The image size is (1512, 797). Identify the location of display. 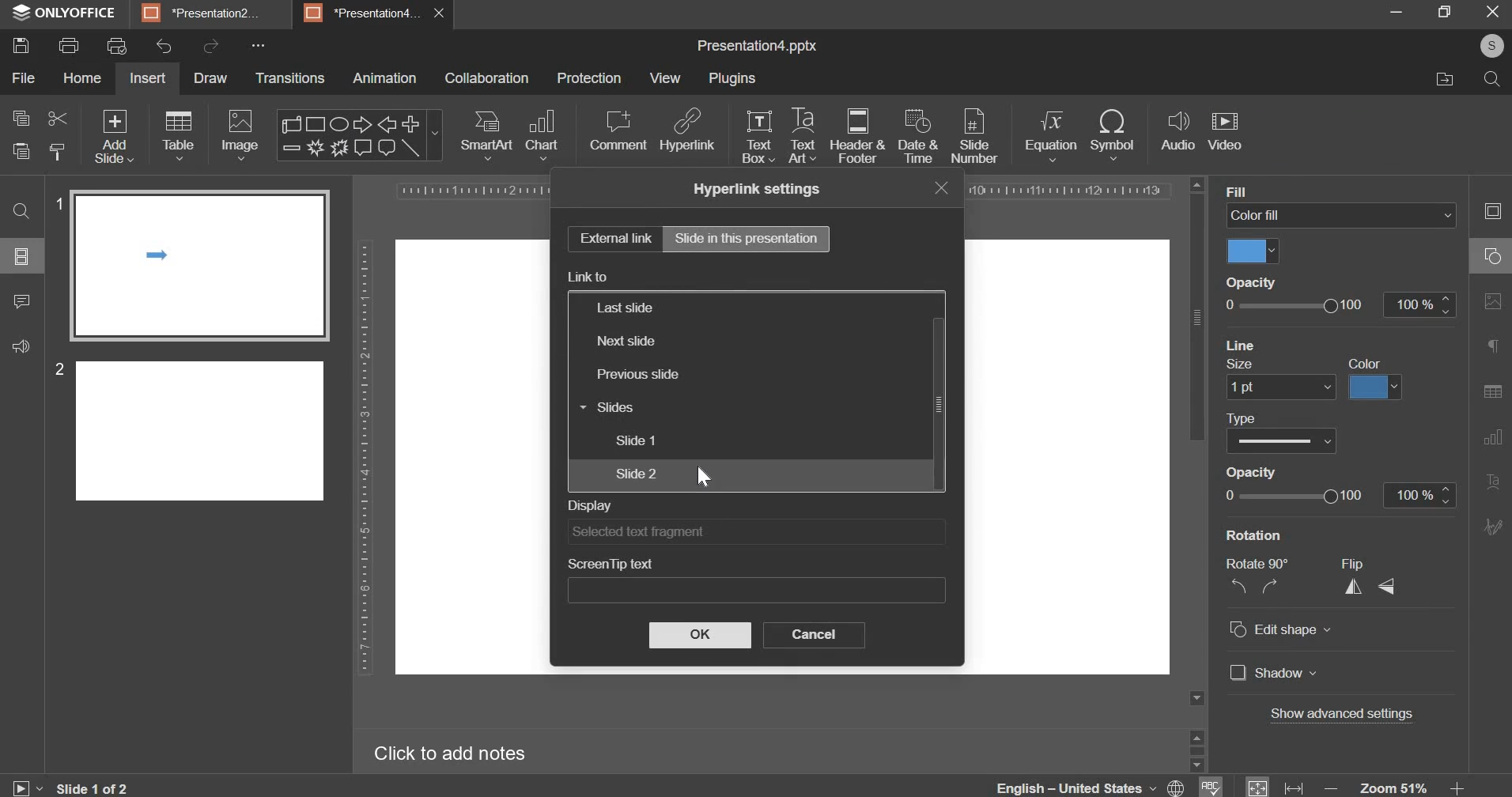
(755, 531).